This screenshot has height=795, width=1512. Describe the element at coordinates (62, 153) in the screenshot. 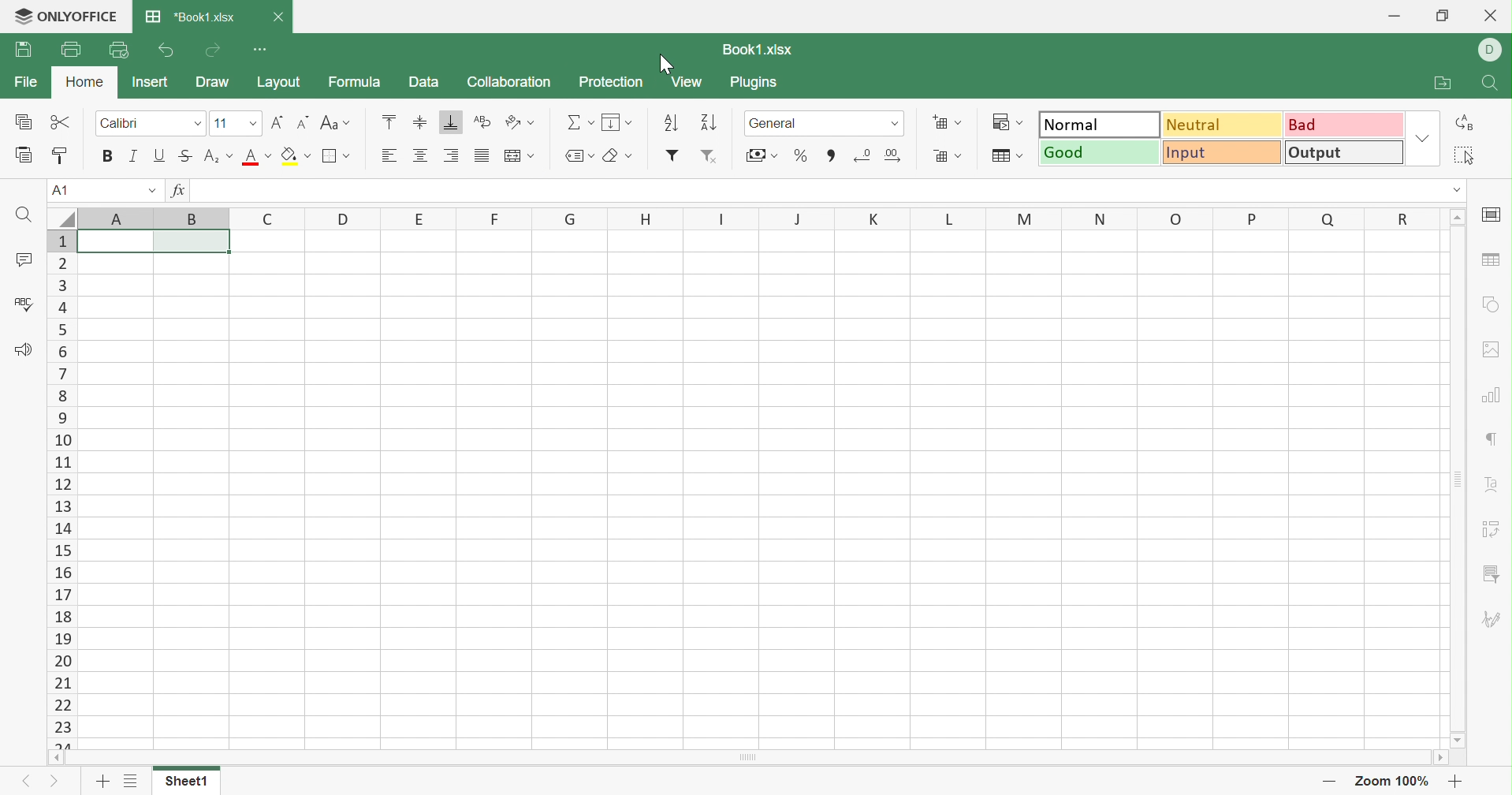

I see `Copy Style` at that location.